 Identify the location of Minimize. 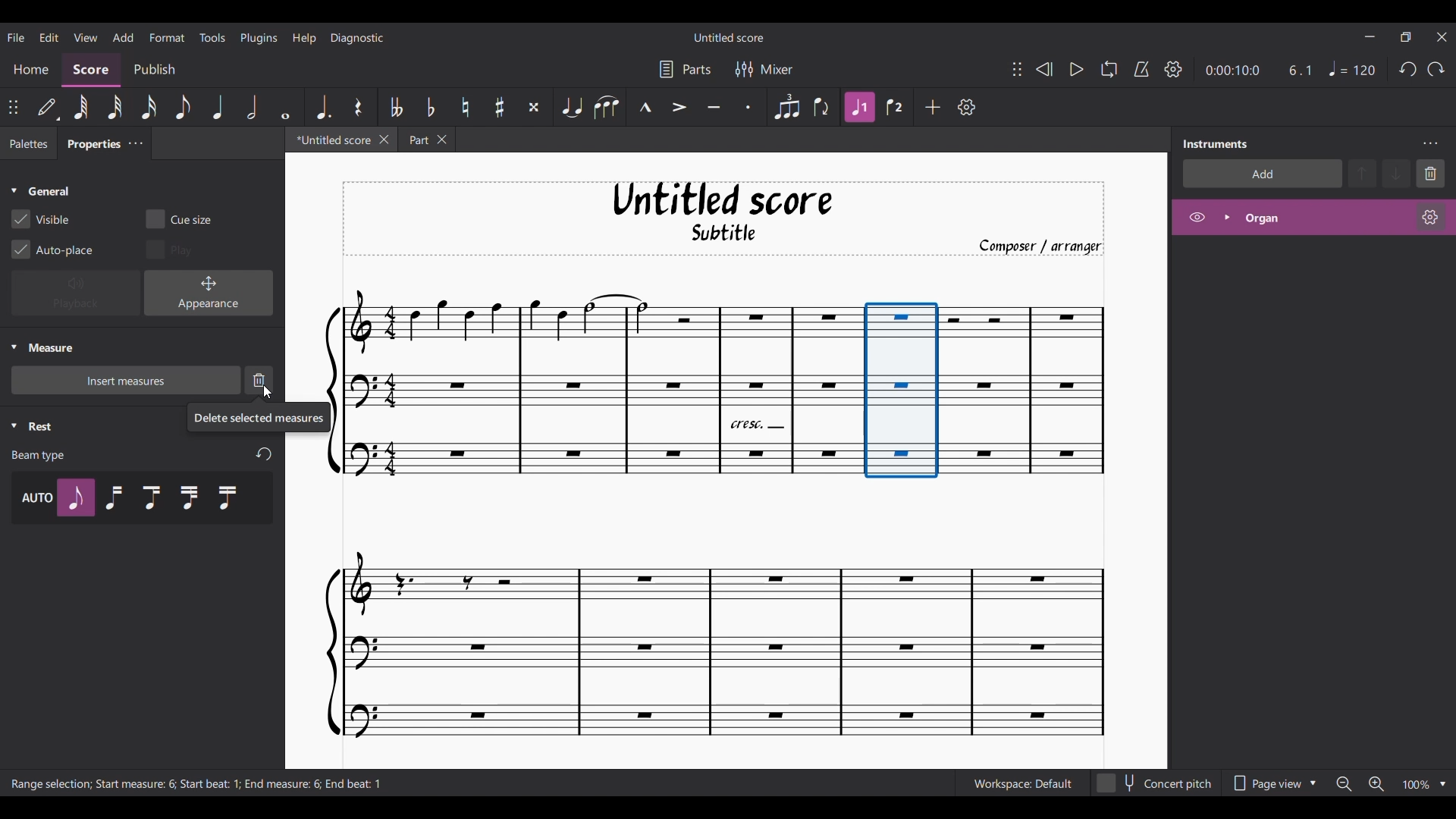
(1370, 36).